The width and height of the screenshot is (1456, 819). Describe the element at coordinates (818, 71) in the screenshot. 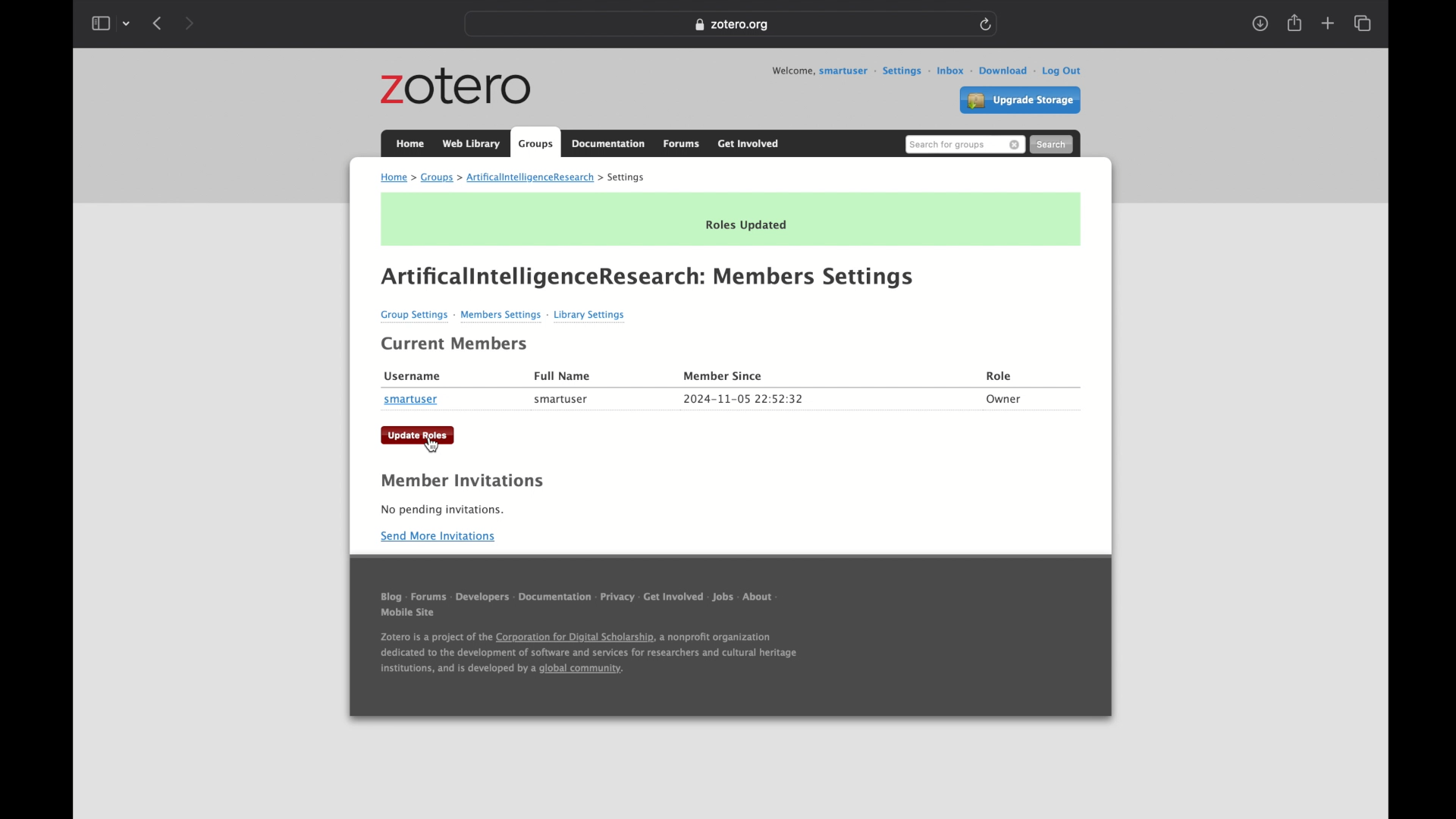

I see `welcome, smartuser` at that location.